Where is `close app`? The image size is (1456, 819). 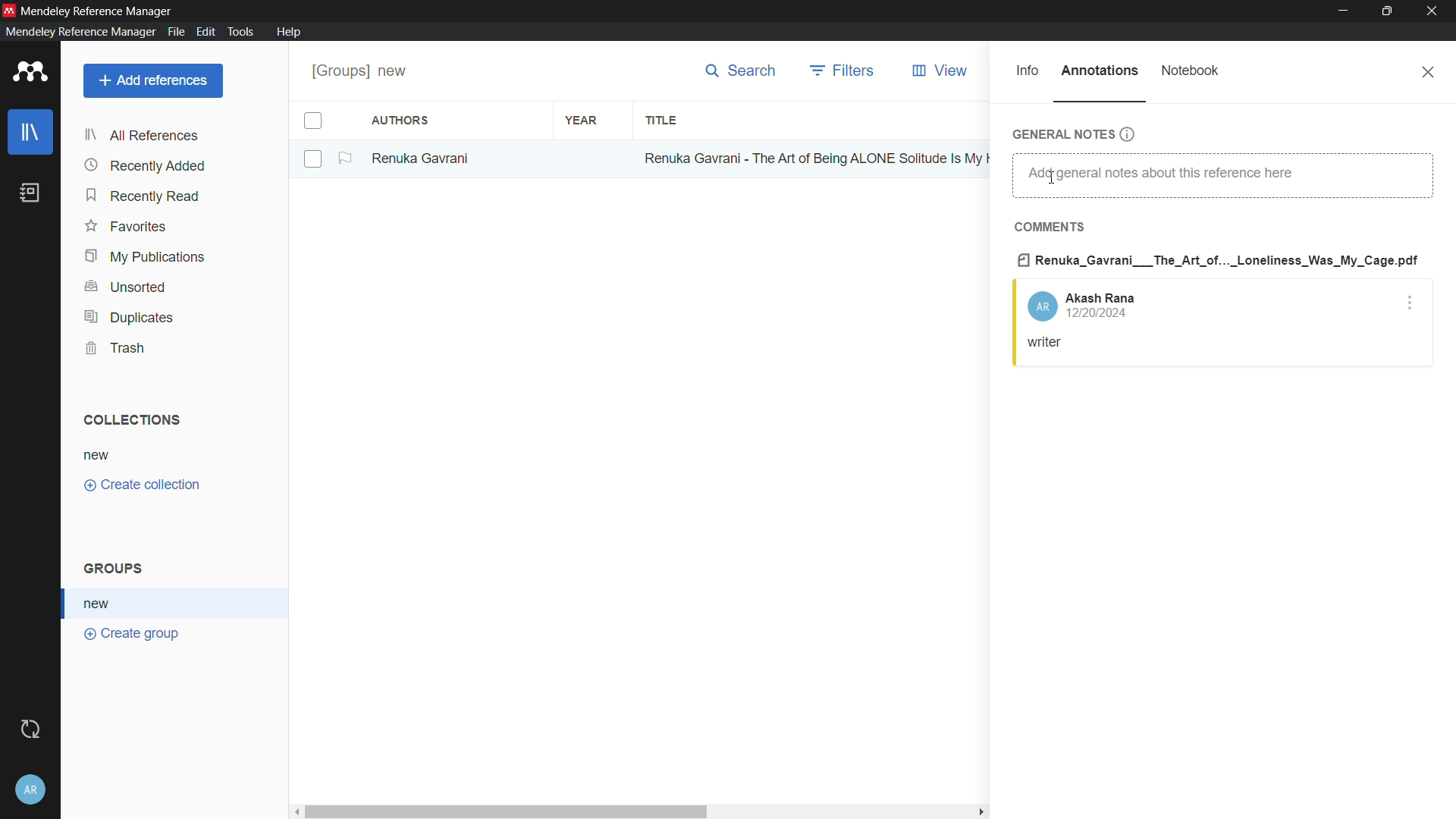
close app is located at coordinates (1436, 11).